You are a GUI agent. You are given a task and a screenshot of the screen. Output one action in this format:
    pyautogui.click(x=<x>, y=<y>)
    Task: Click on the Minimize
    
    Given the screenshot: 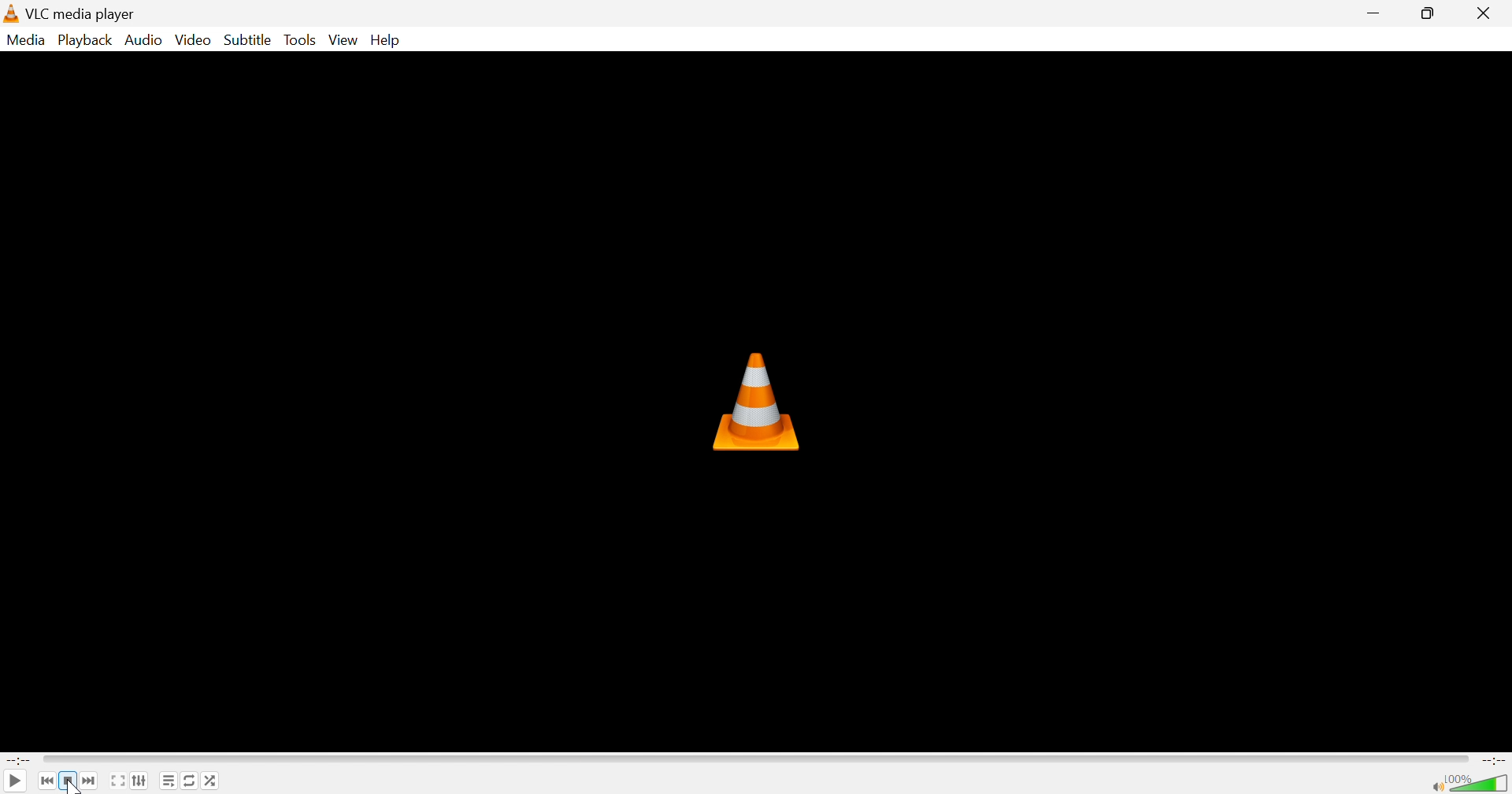 What is the action you would take?
    pyautogui.click(x=1375, y=12)
    